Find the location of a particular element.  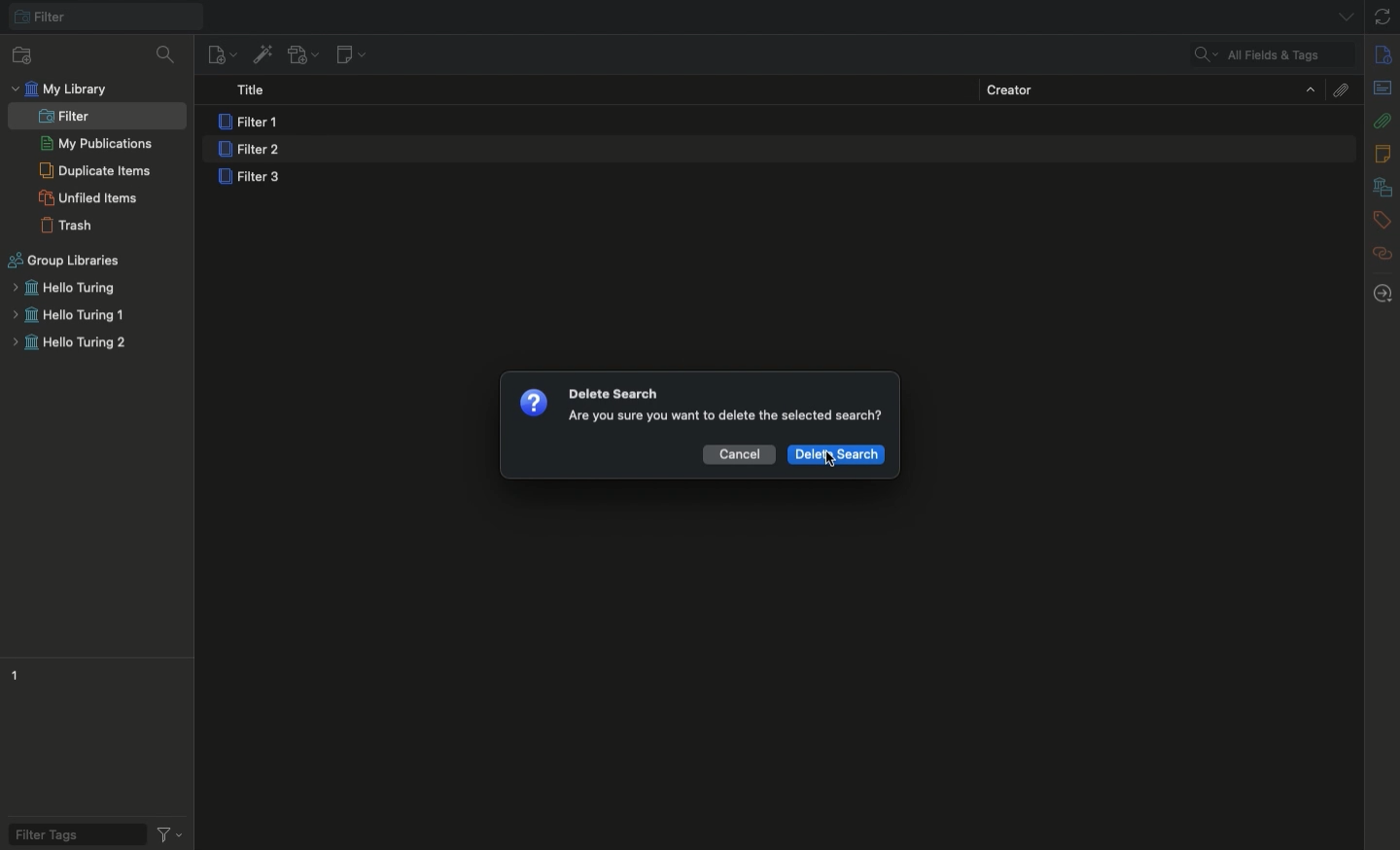

Filter tags is located at coordinates (70, 832).